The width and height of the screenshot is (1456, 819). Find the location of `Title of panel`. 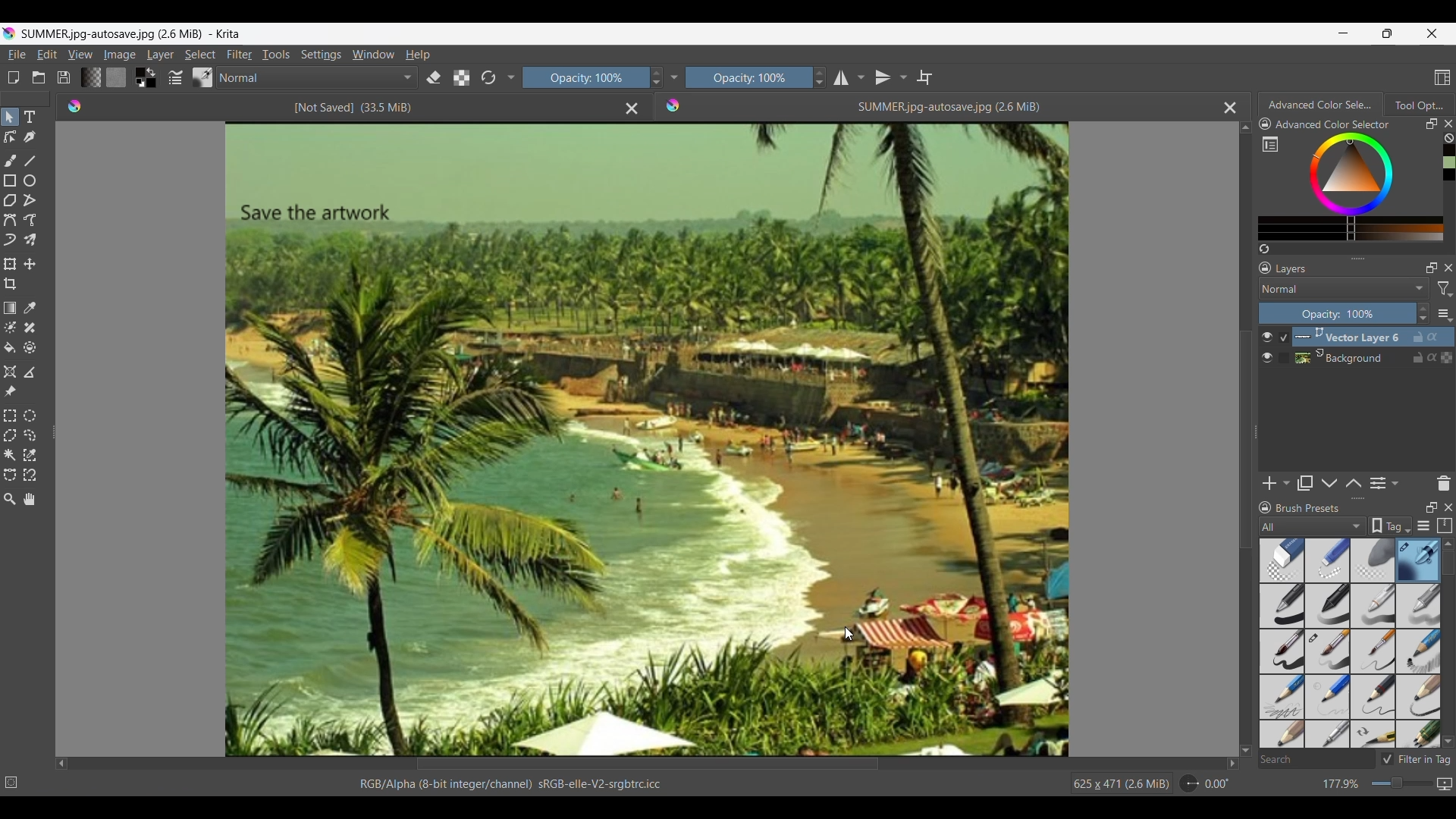

Title of panel is located at coordinates (1308, 508).